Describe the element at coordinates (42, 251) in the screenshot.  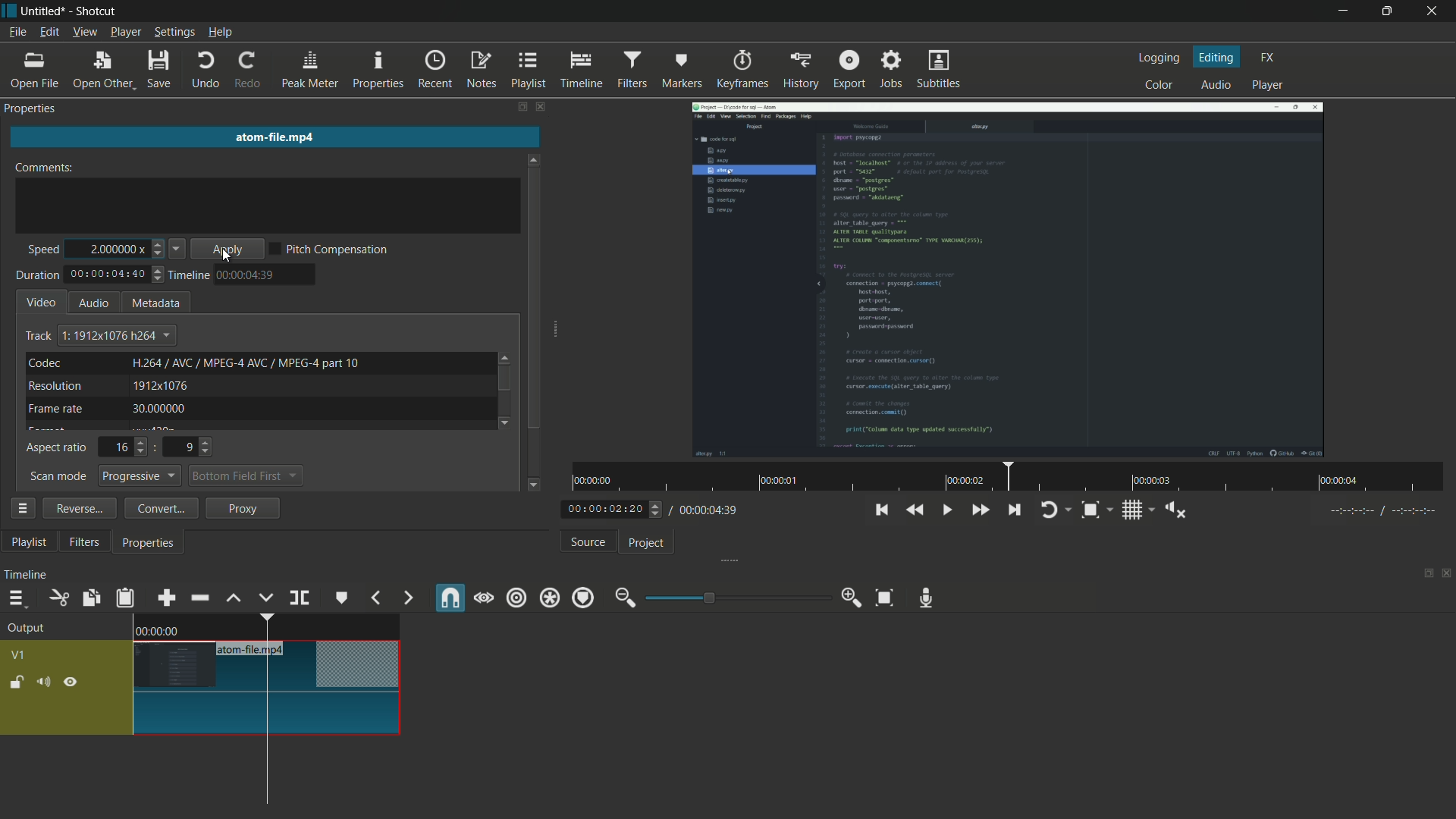
I see `speed` at that location.